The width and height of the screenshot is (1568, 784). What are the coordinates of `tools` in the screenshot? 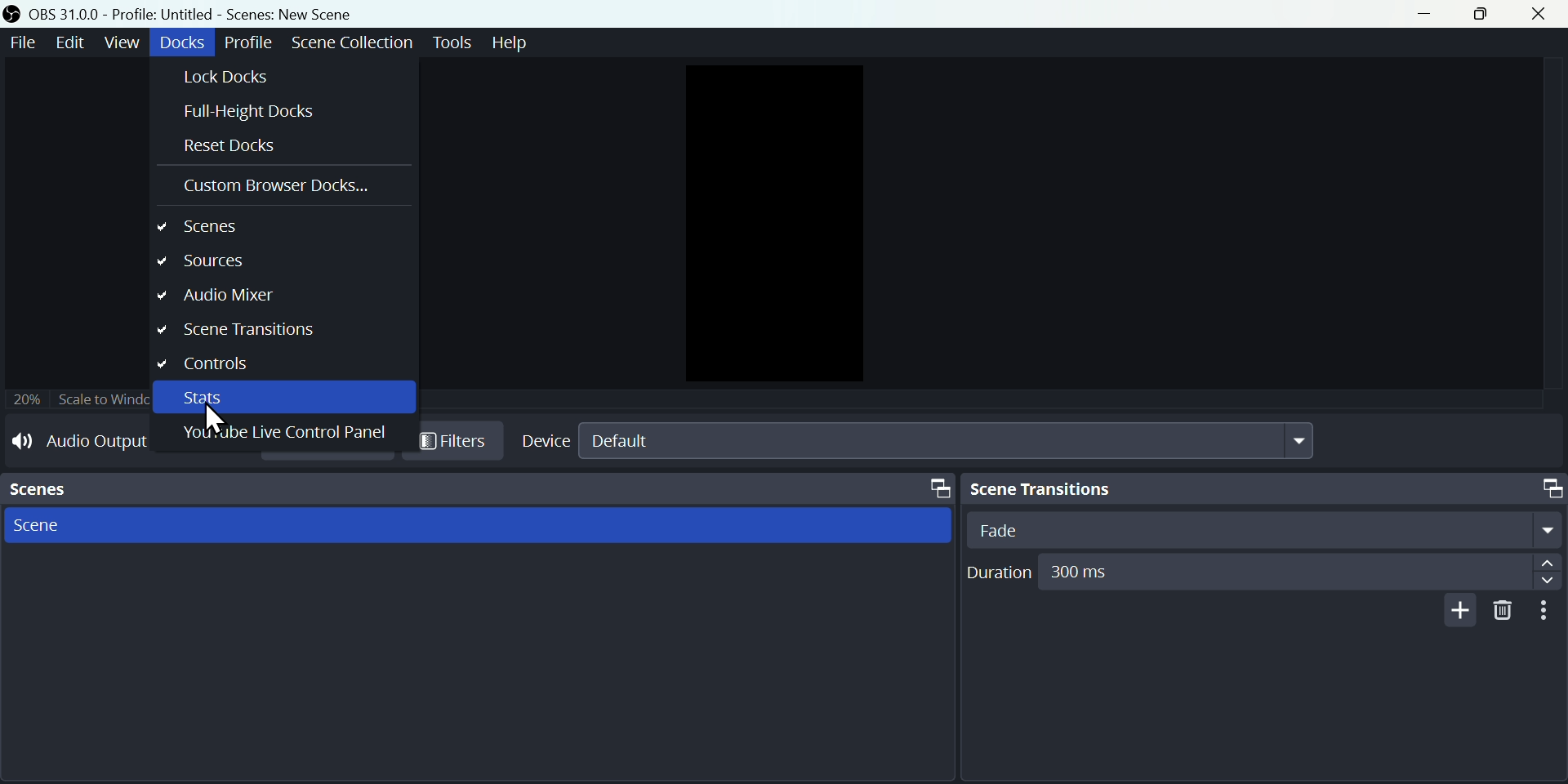 It's located at (450, 43).